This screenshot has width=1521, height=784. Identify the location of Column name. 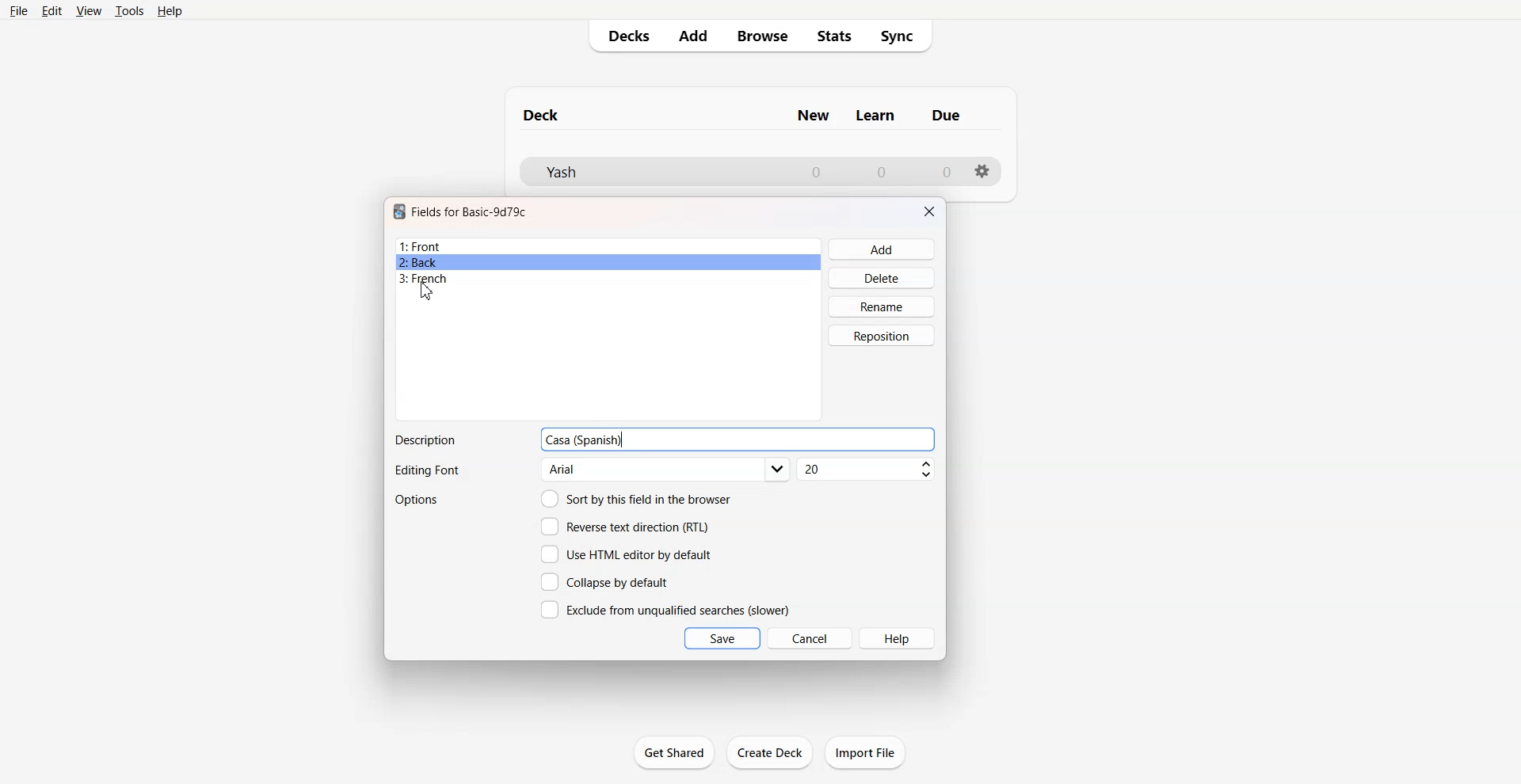
(875, 116).